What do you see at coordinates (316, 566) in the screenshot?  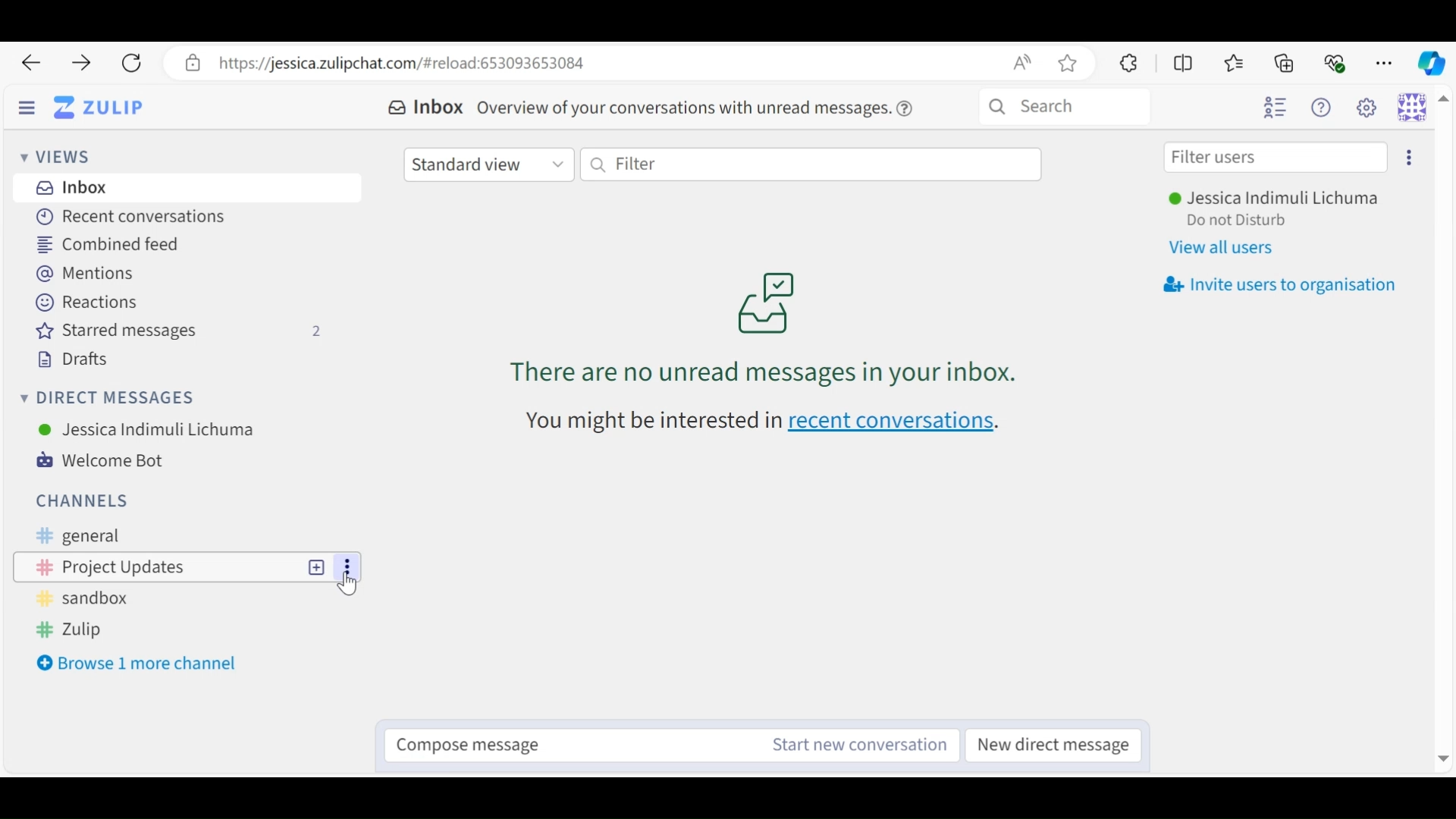 I see `New Topic` at bounding box center [316, 566].